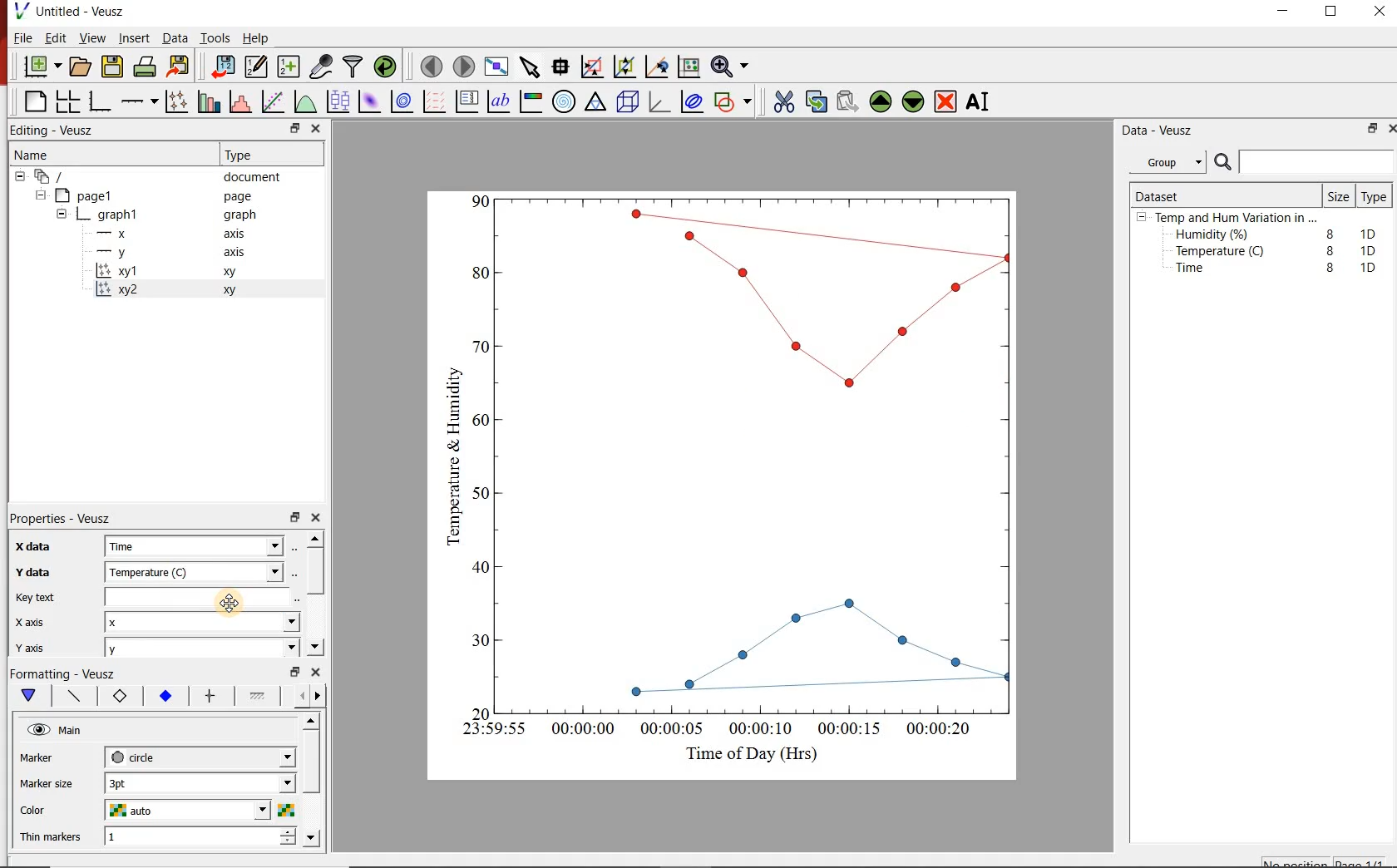 This screenshot has height=868, width=1397. What do you see at coordinates (782, 100) in the screenshot?
I see `cut the selected widget` at bounding box center [782, 100].